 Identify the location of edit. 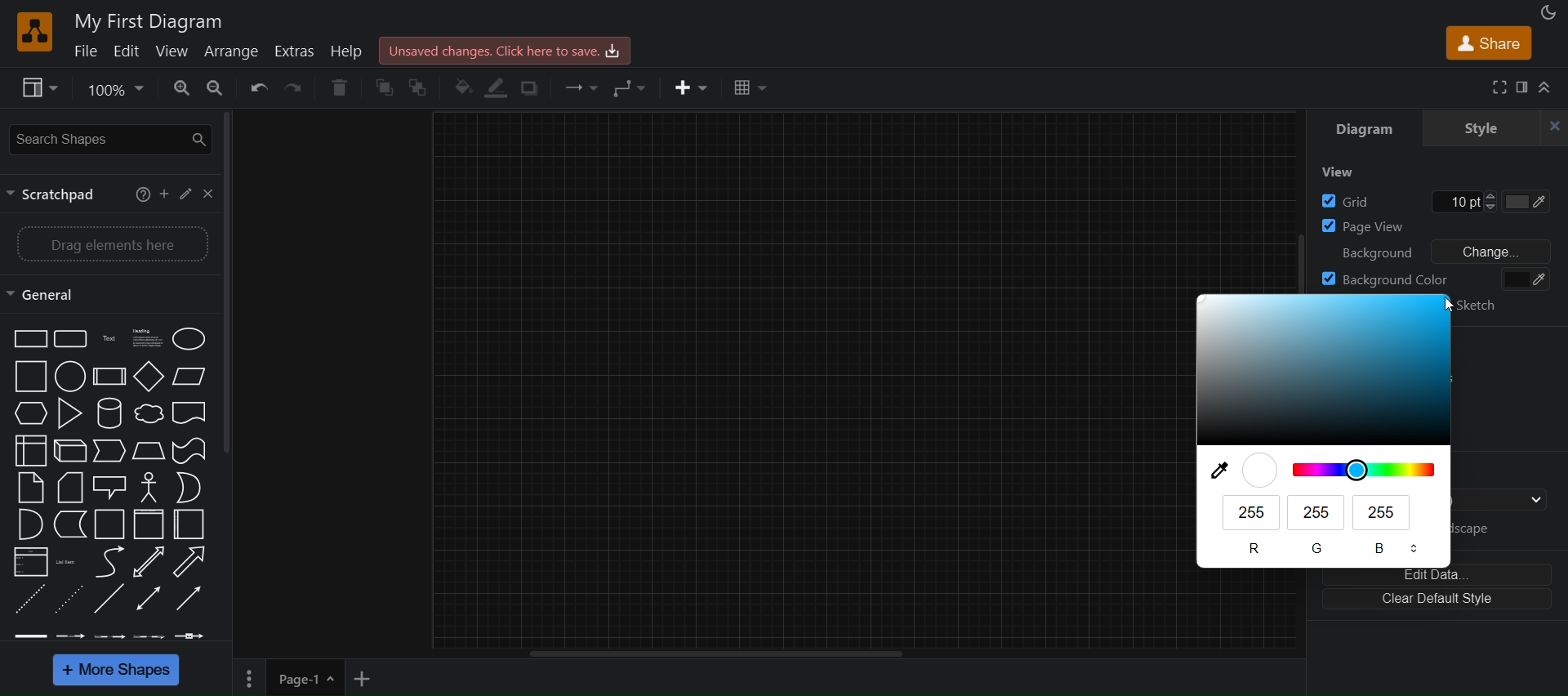
(186, 194).